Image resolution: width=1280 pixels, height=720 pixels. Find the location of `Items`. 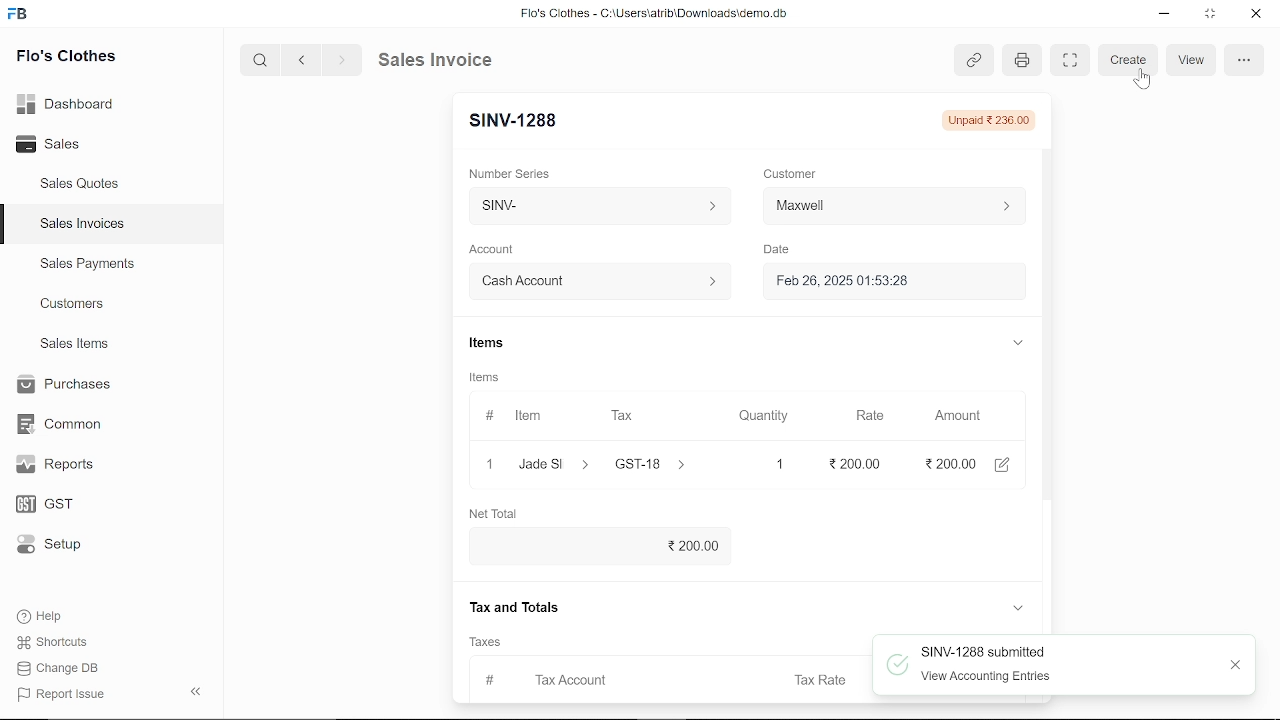

Items is located at coordinates (485, 345).